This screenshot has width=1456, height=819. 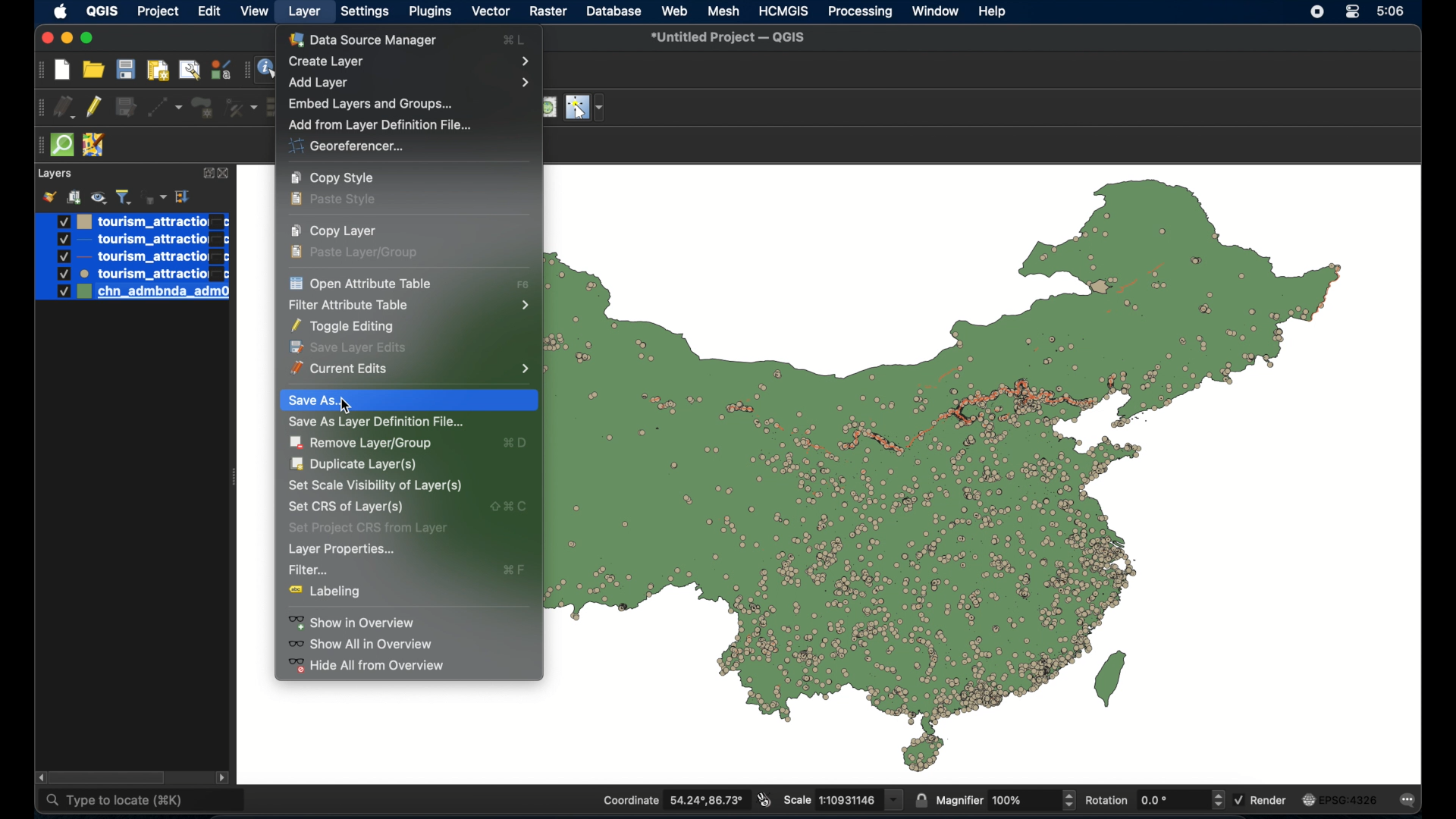 I want to click on lock scale, so click(x=921, y=798).